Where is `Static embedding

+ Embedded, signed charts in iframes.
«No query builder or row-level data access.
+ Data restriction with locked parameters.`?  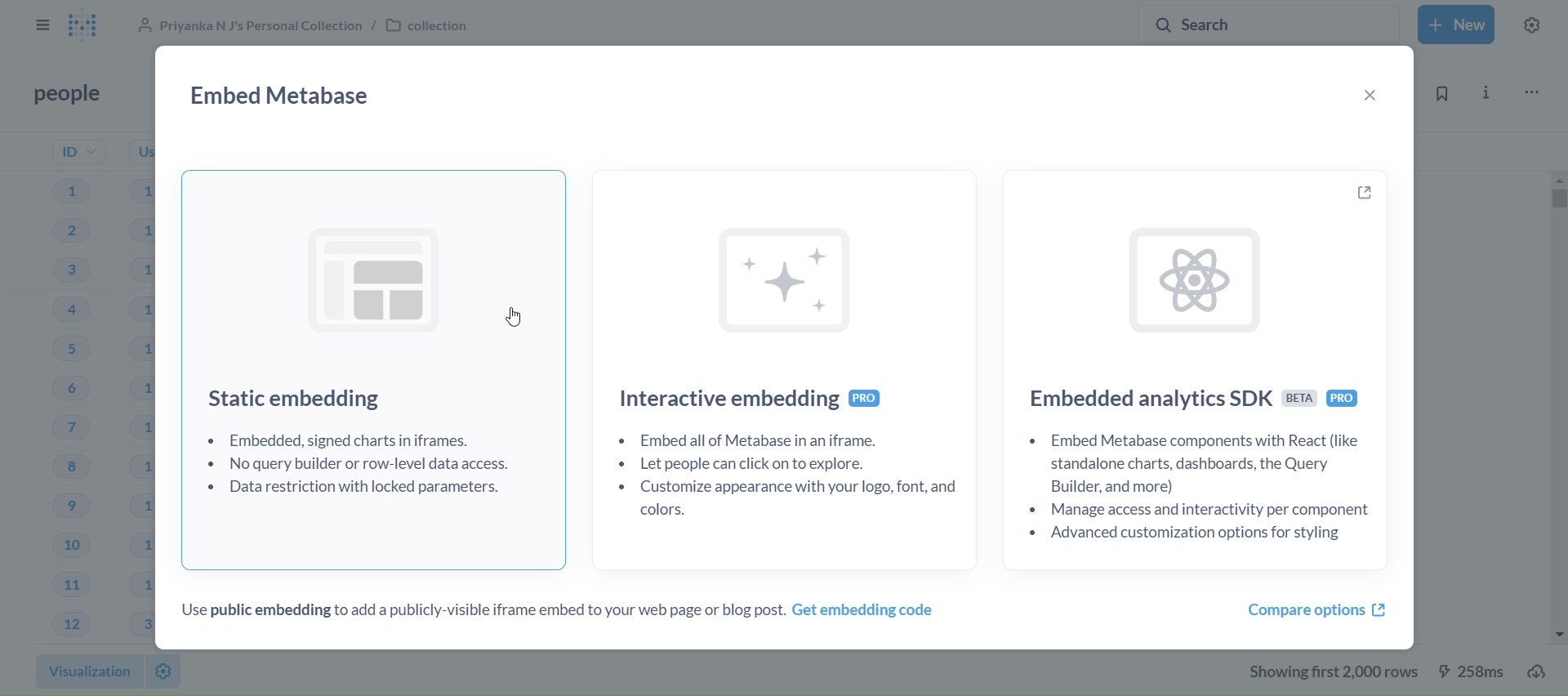 Static embedding

+ Embedded, signed charts in iframes.
«No query builder or row-level data access.
+ Data restriction with locked parameters. is located at coordinates (376, 367).